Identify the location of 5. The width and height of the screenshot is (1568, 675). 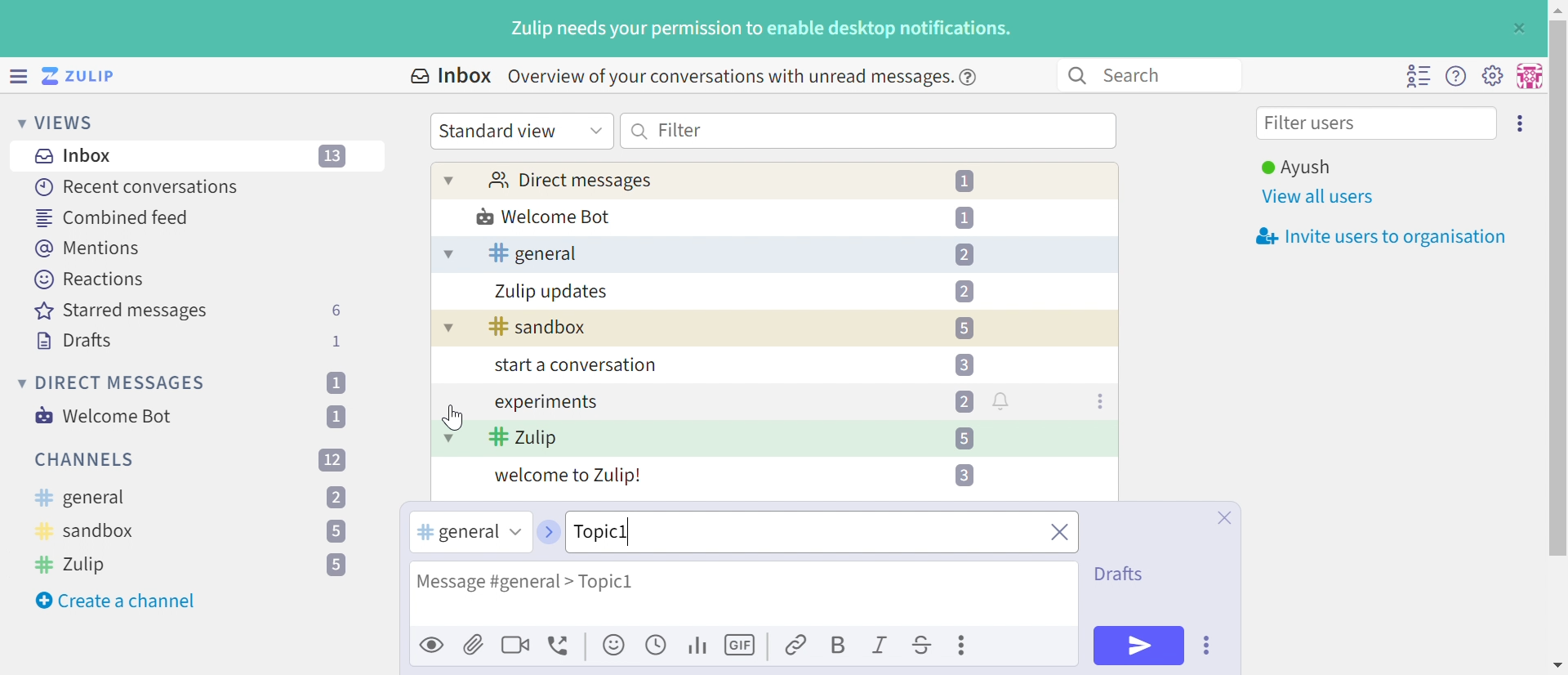
(963, 438).